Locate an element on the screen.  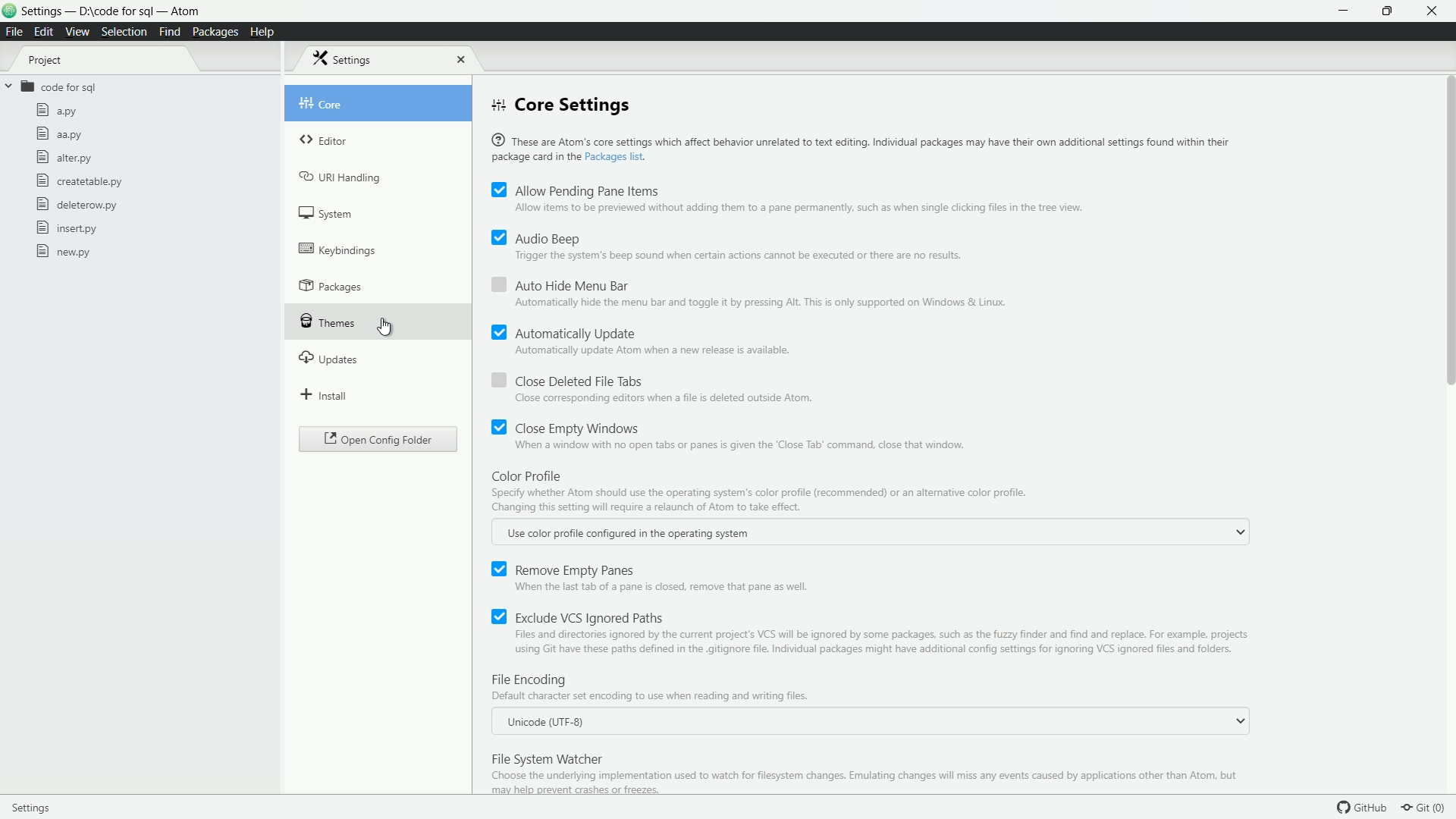
open config folder is located at coordinates (378, 440).